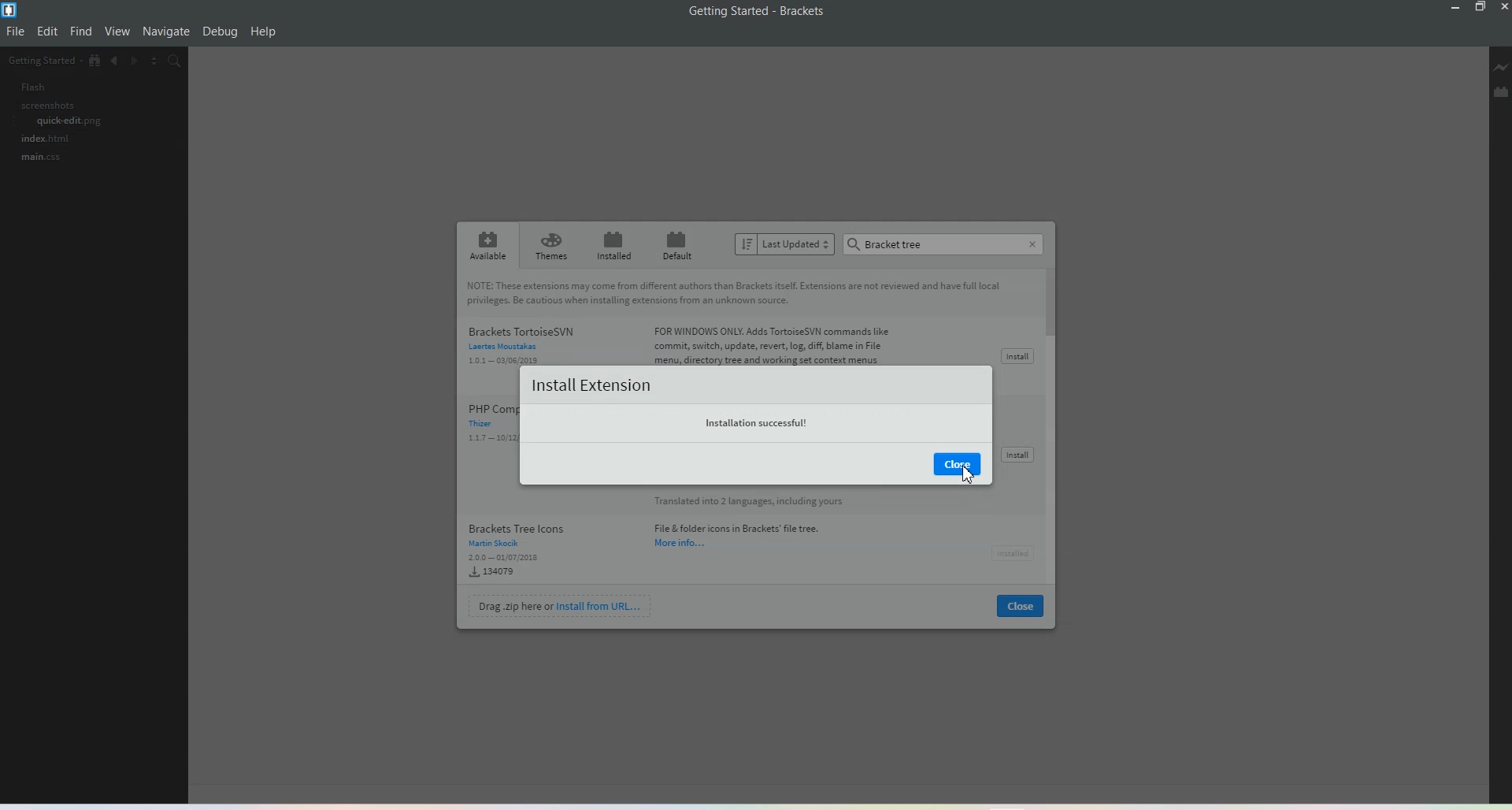 The width and height of the screenshot is (1512, 810). I want to click on Help, so click(264, 32).